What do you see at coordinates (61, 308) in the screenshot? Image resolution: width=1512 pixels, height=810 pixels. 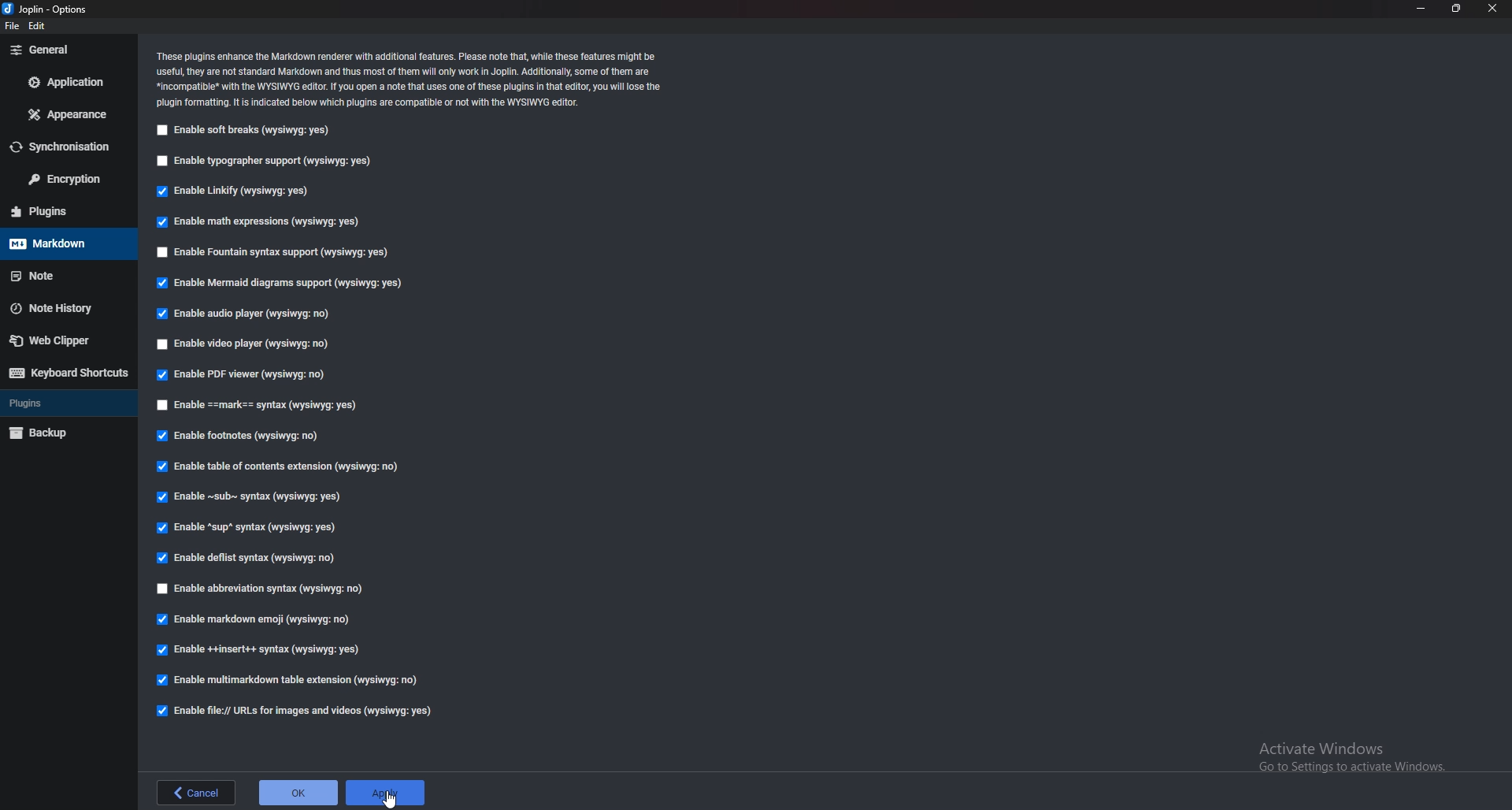 I see `Note history` at bounding box center [61, 308].